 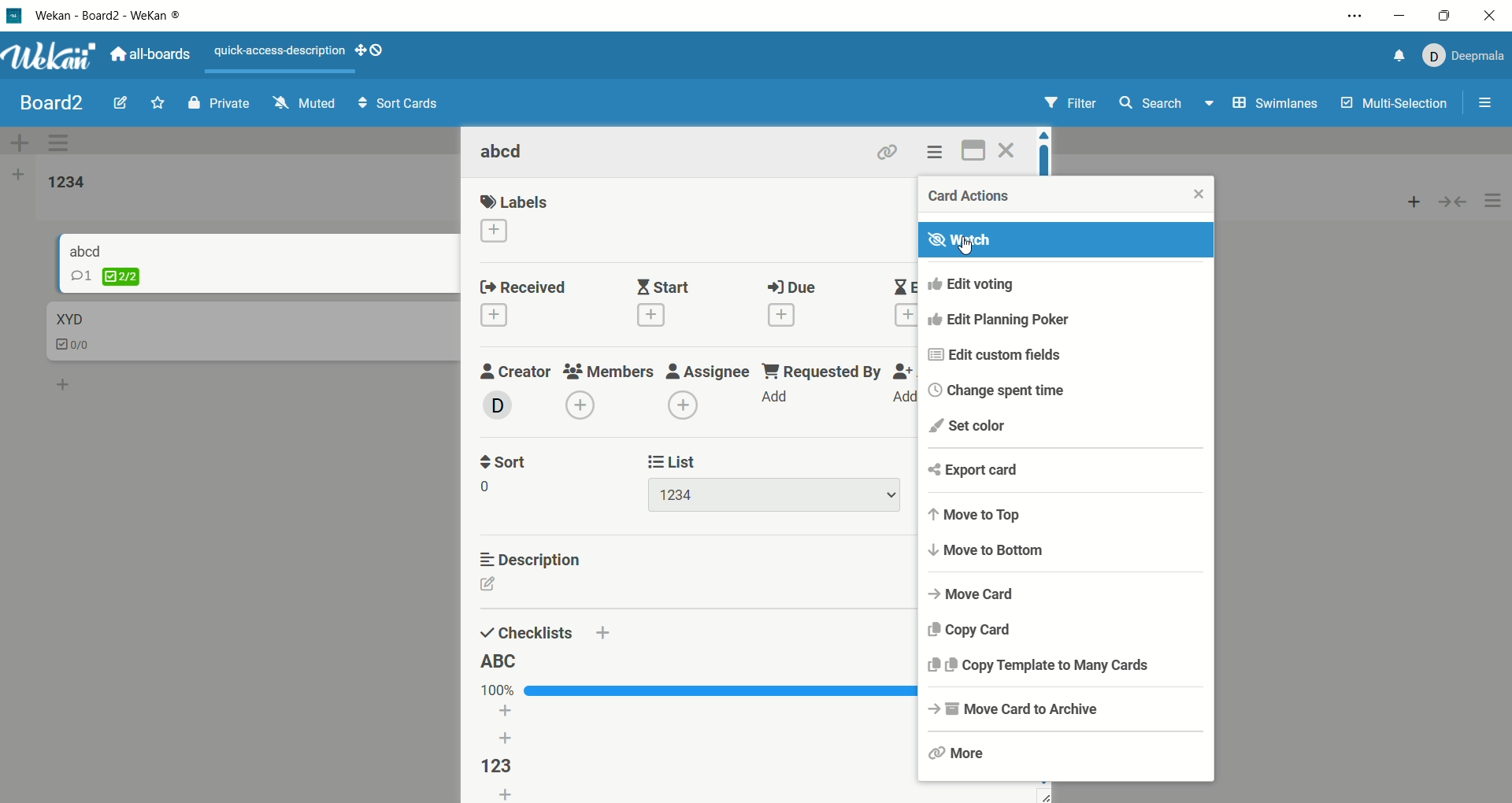 I want to click on close, so click(x=1010, y=150).